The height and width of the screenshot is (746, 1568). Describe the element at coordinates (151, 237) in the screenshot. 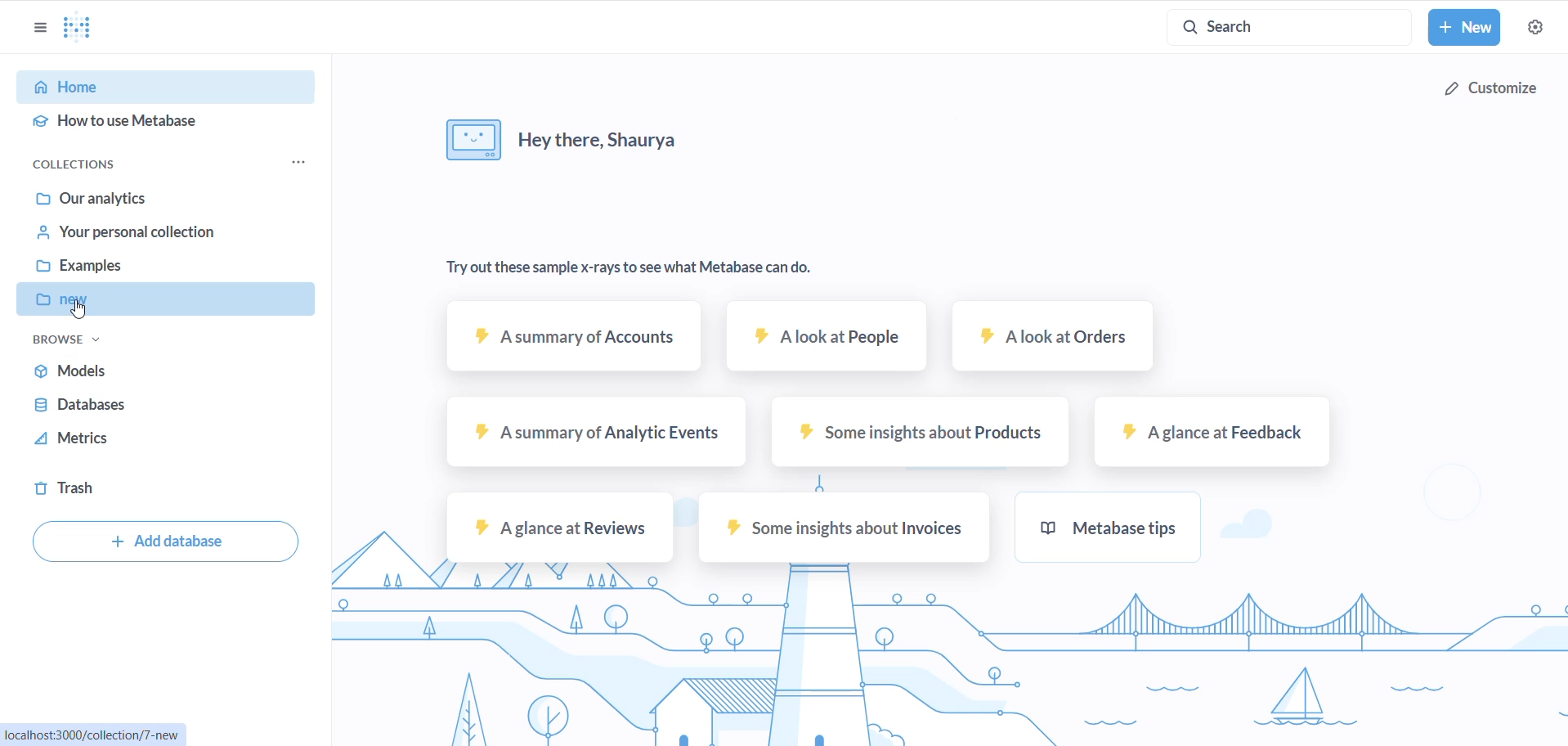

I see `your personal collection` at that location.